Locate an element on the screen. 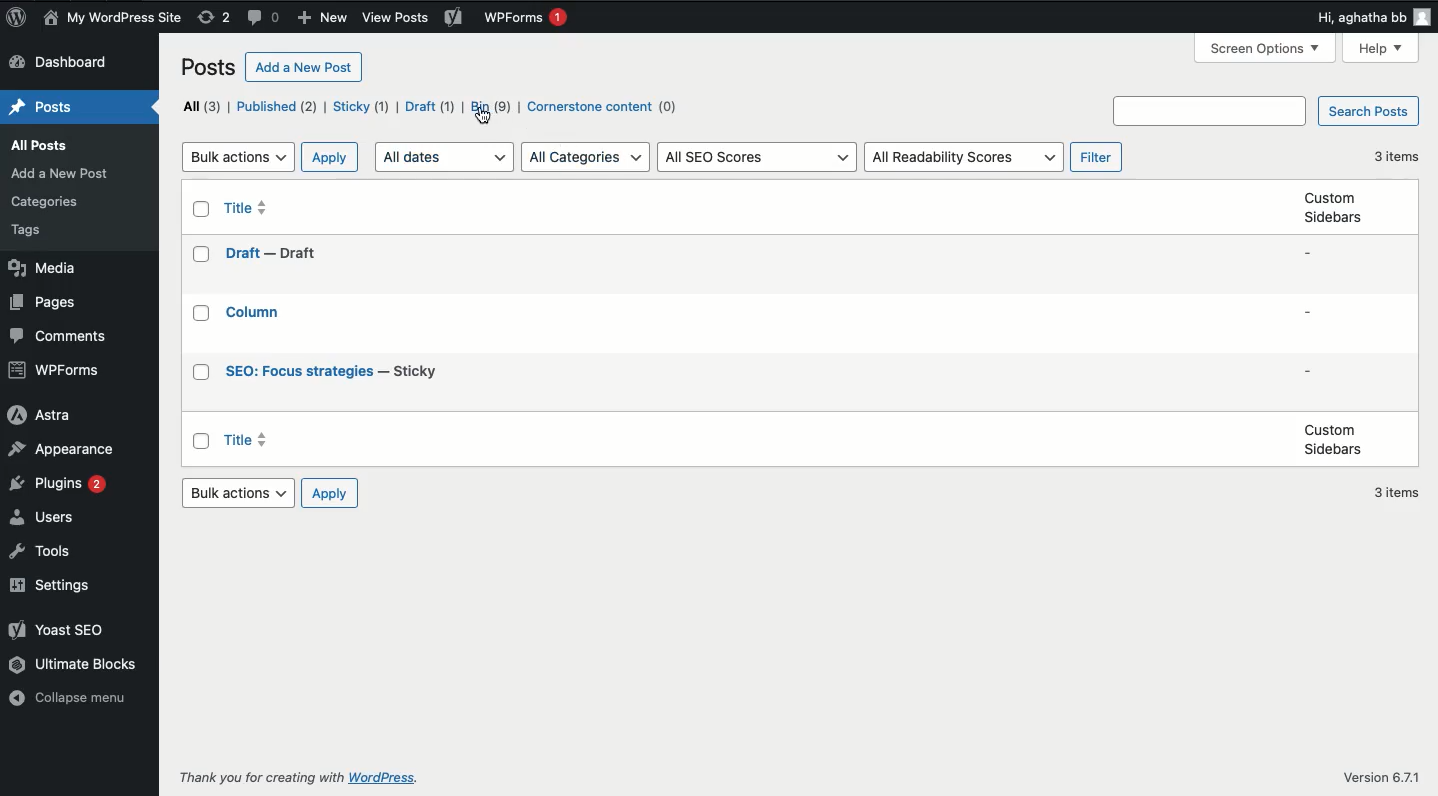 The image size is (1438, 796). Title is located at coordinates (273, 253).